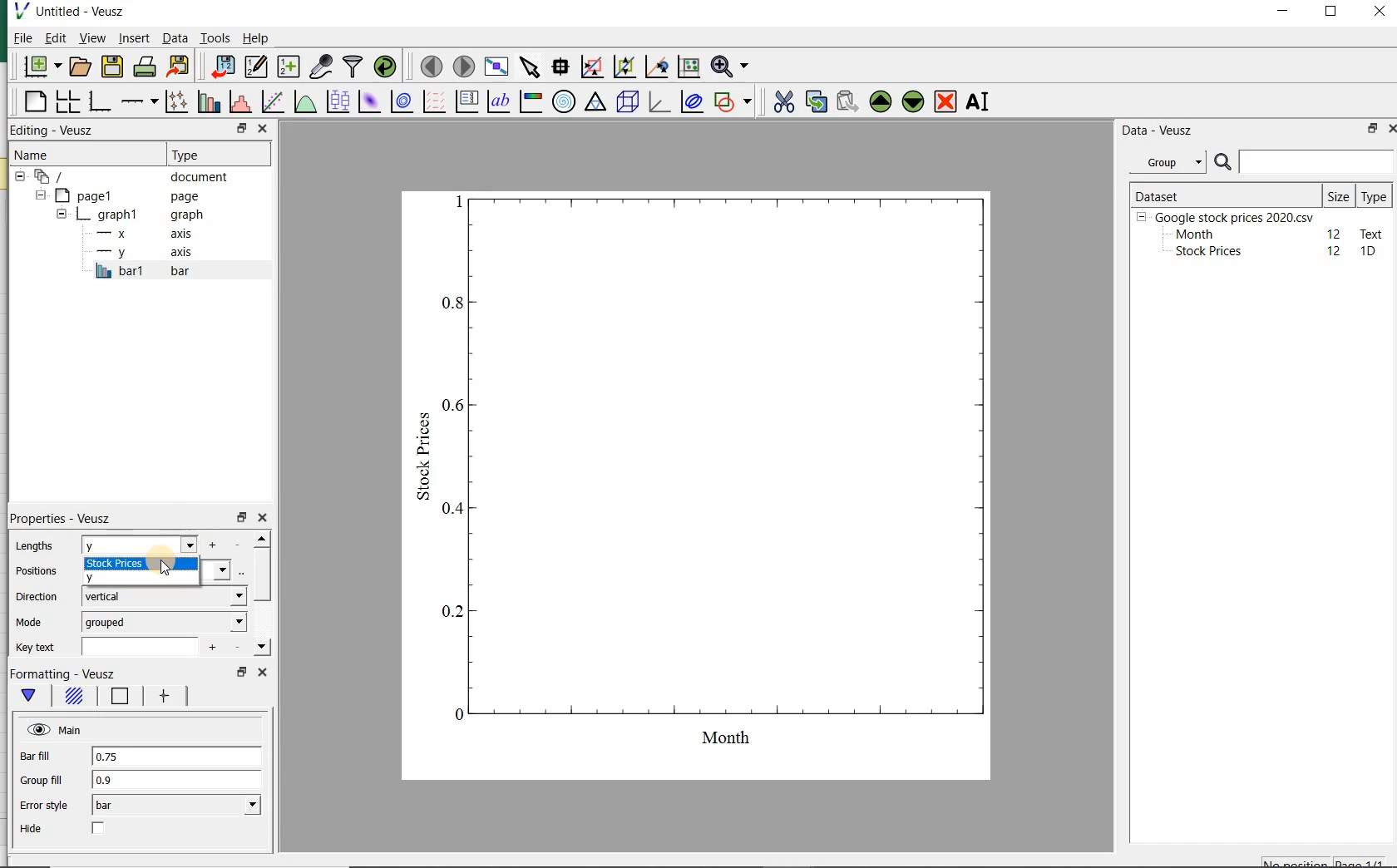  What do you see at coordinates (140, 545) in the screenshot?
I see `Y` at bounding box center [140, 545].